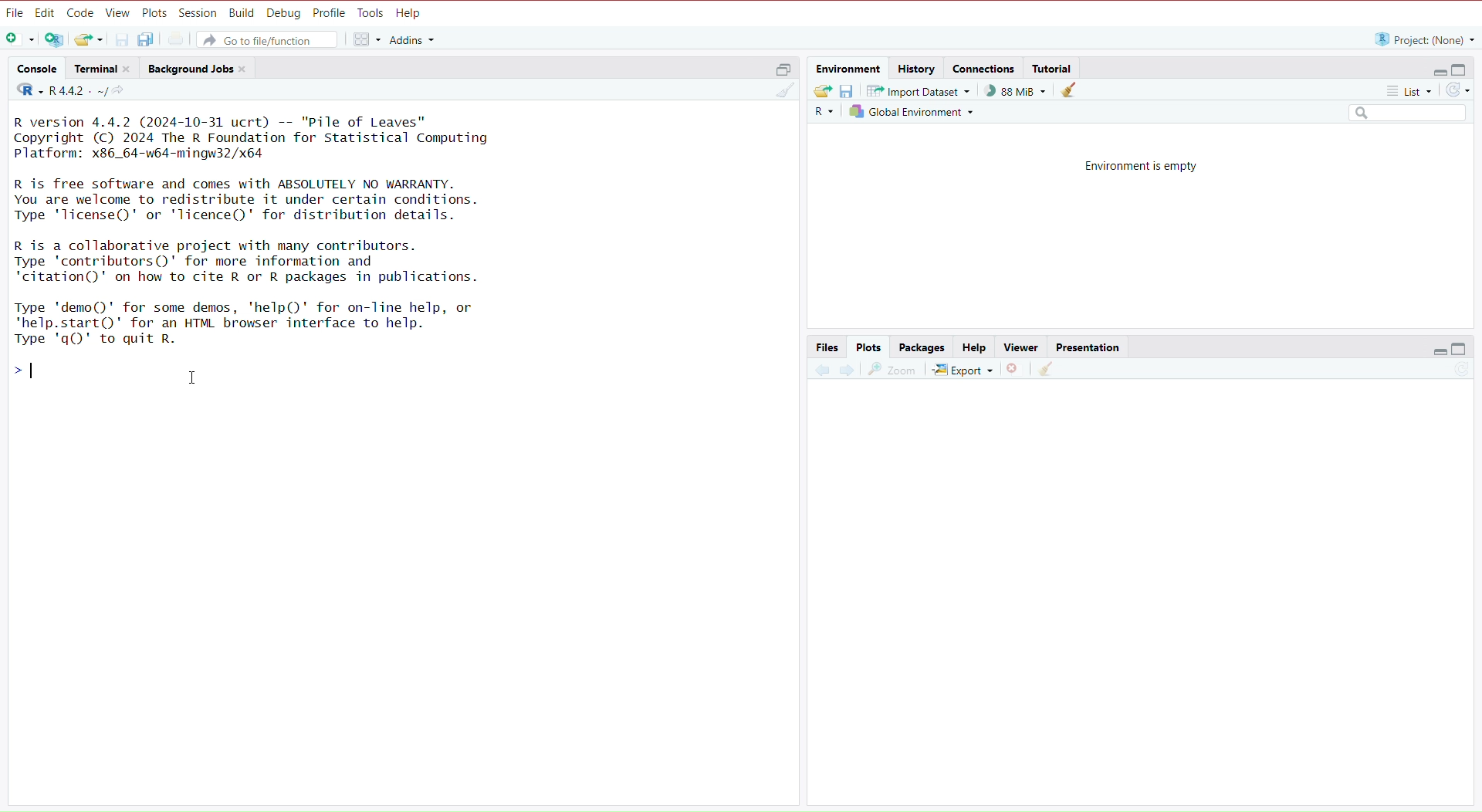 The width and height of the screenshot is (1482, 812). I want to click on R, so click(822, 111).